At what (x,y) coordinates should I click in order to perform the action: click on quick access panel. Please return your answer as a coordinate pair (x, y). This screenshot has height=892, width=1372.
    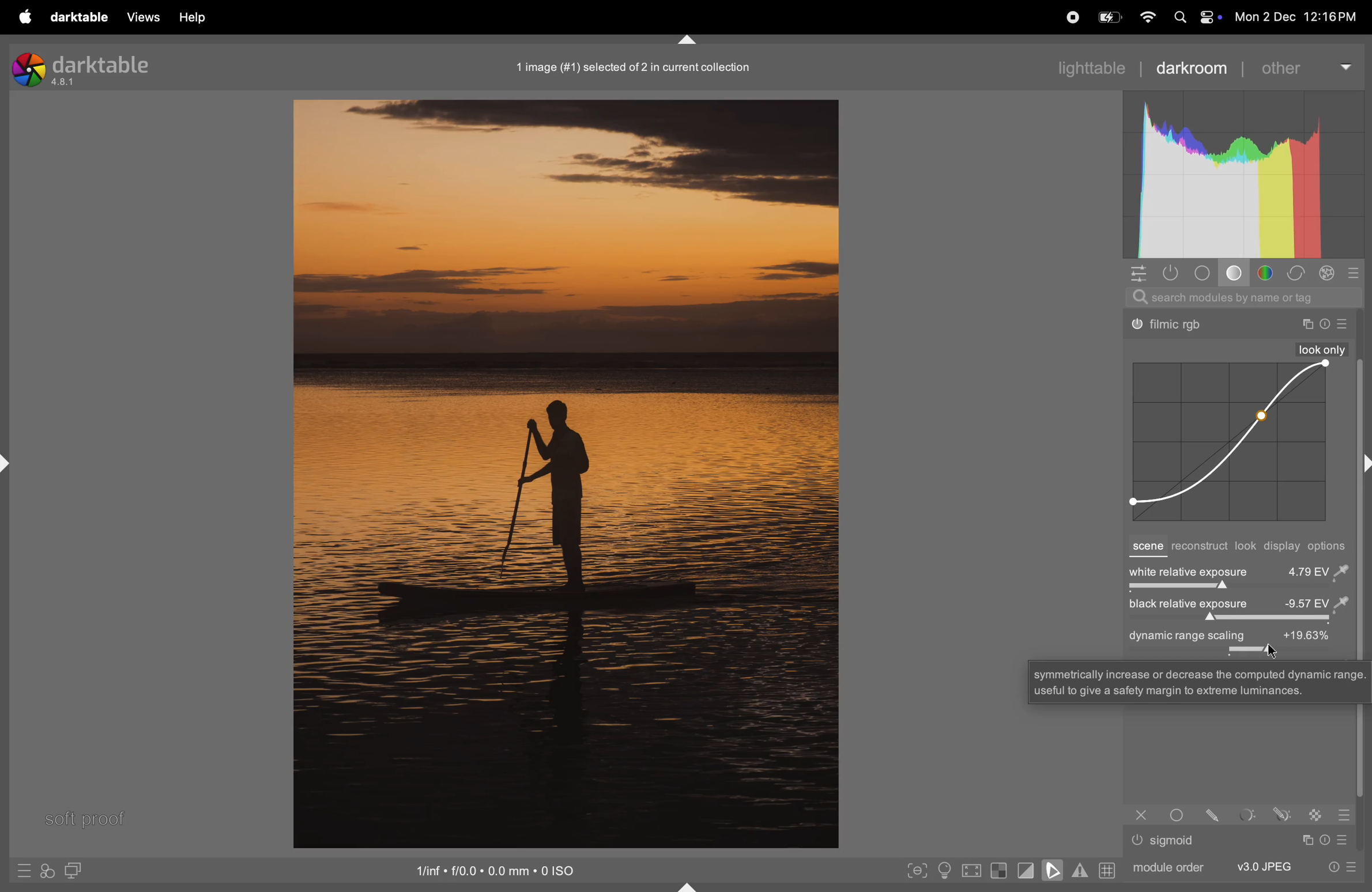
    Looking at the image, I should click on (1136, 273).